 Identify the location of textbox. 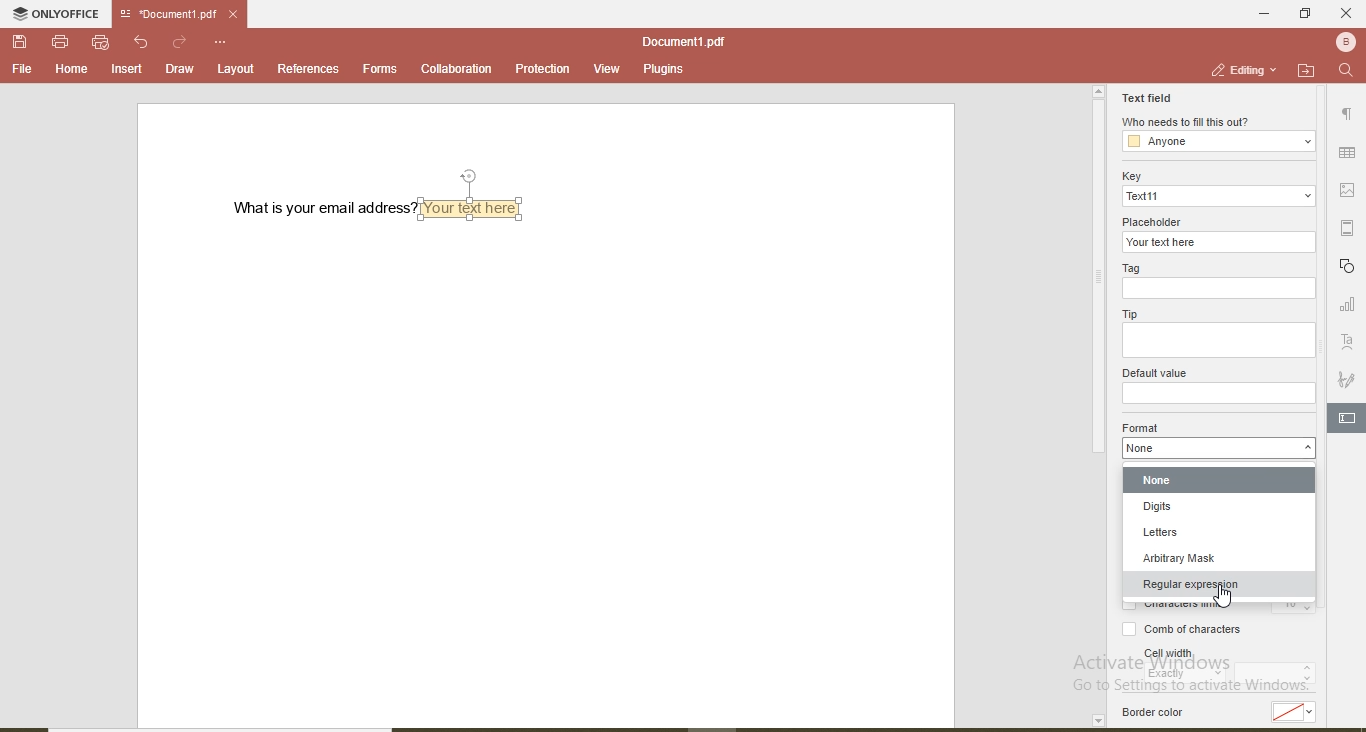
(476, 207).